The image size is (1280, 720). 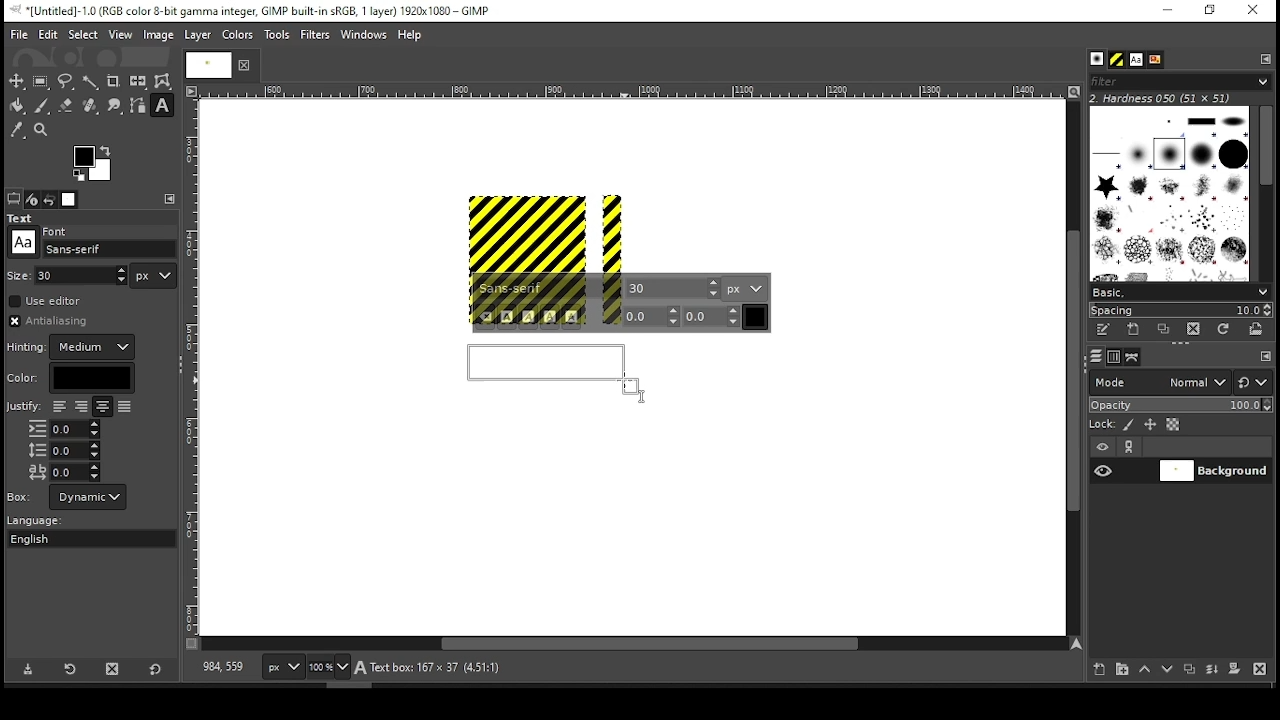 I want to click on view, so click(x=121, y=36).